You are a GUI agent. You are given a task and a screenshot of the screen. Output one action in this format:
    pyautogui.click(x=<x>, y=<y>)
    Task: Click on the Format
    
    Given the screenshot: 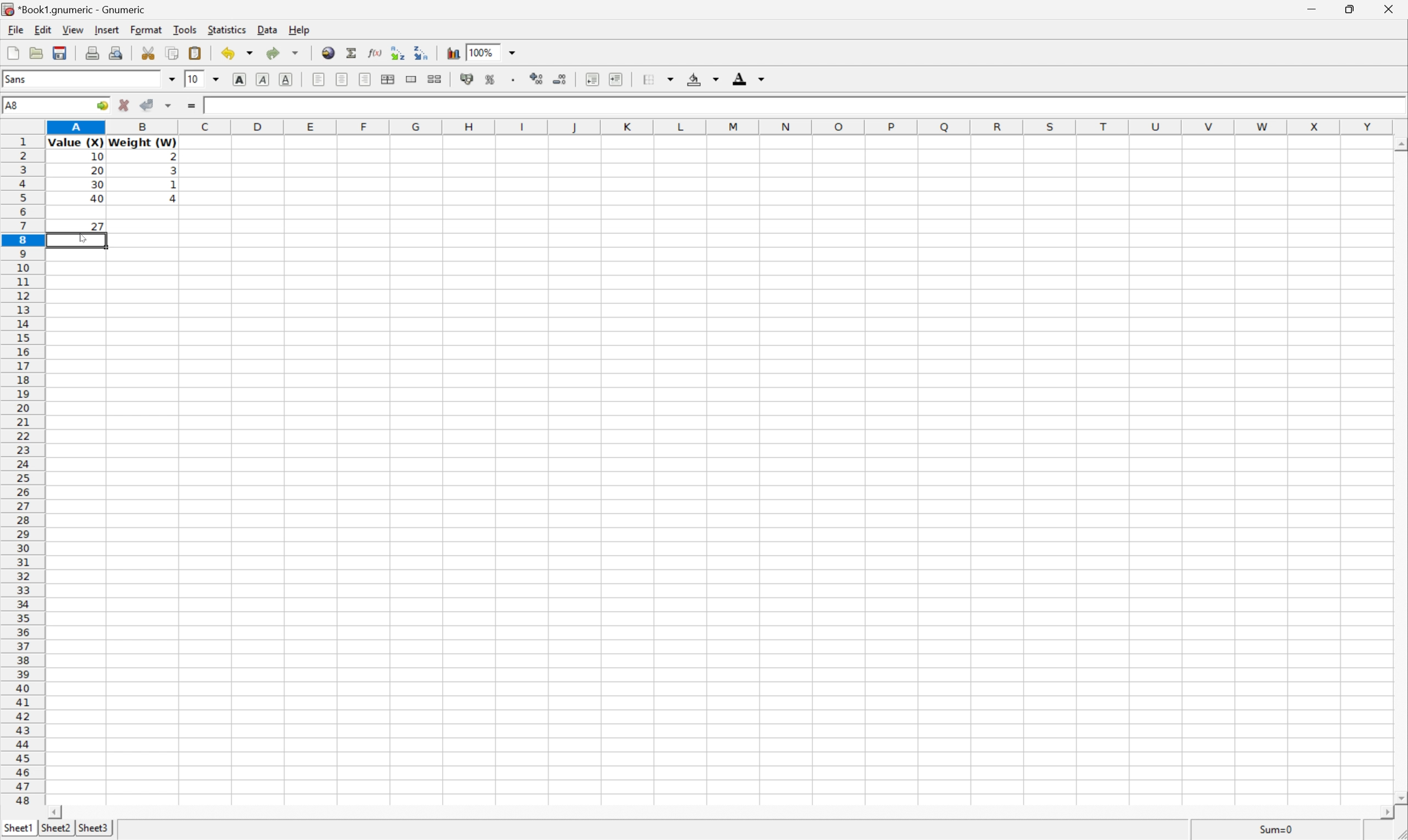 What is the action you would take?
    pyautogui.click(x=146, y=30)
    